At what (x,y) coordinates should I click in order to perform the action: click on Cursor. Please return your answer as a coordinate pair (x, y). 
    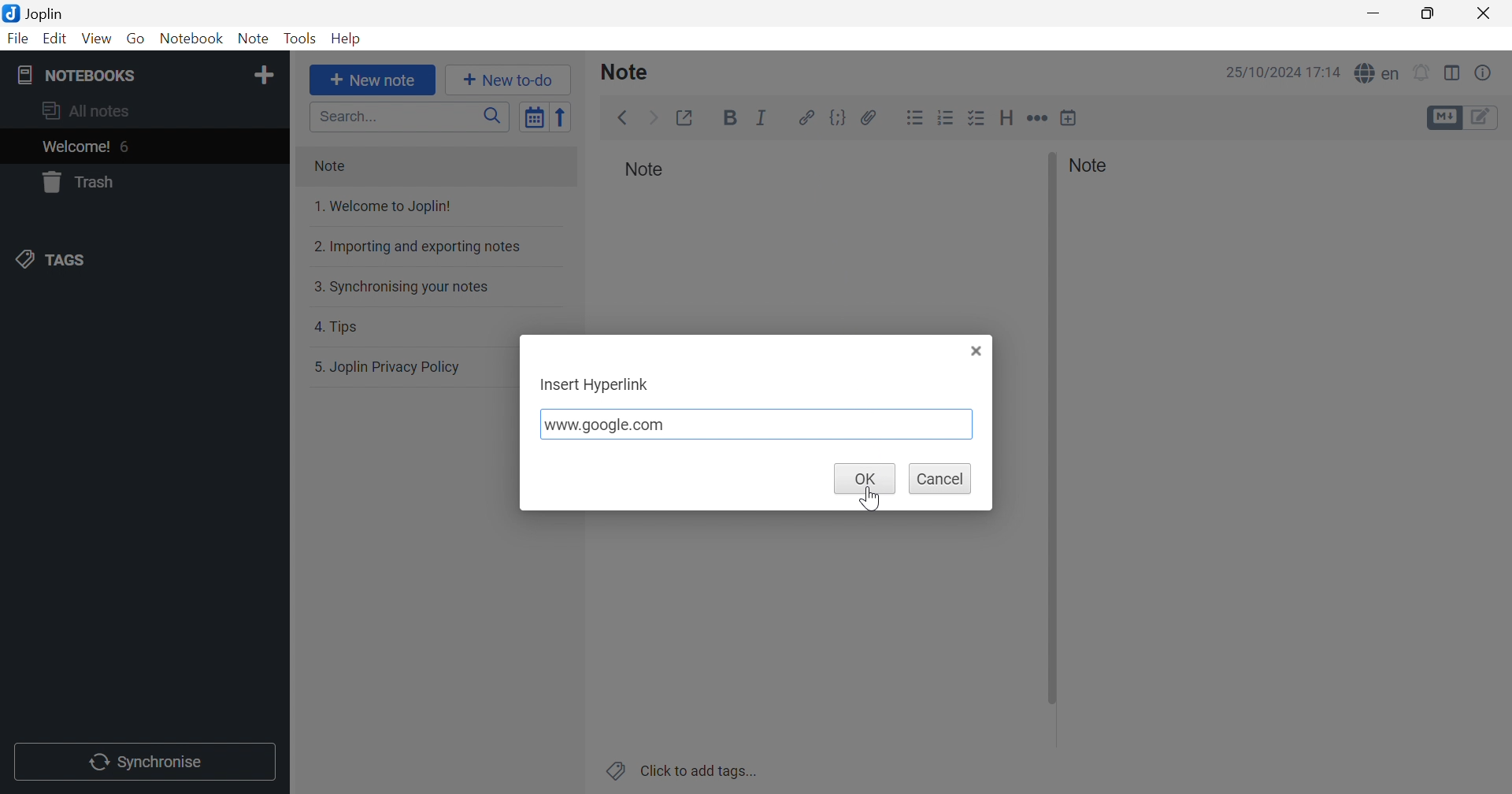
    Looking at the image, I should click on (866, 500).